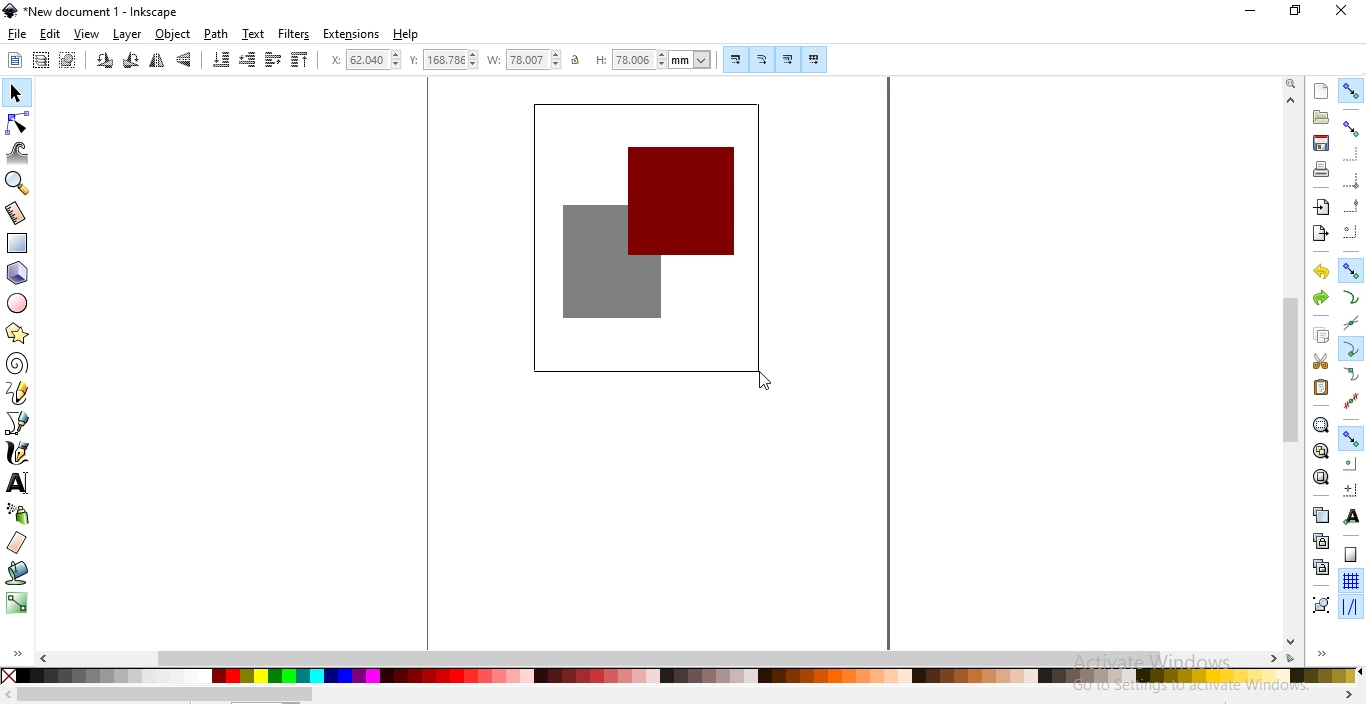 This screenshot has width=1366, height=704. I want to click on snap midpoints of bounding box edges, so click(1352, 206).